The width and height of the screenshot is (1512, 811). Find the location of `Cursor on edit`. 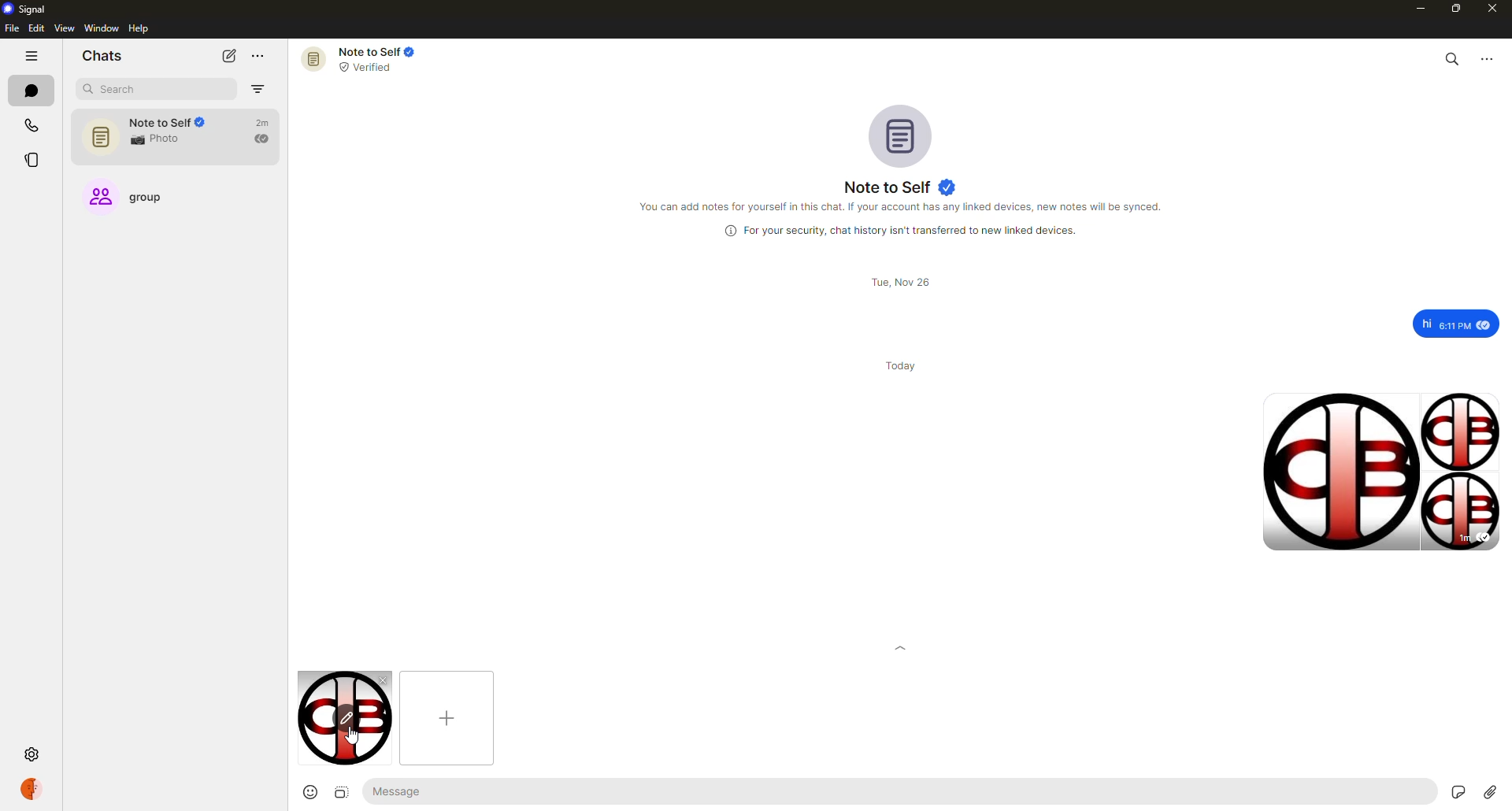

Cursor on edit is located at coordinates (346, 718).